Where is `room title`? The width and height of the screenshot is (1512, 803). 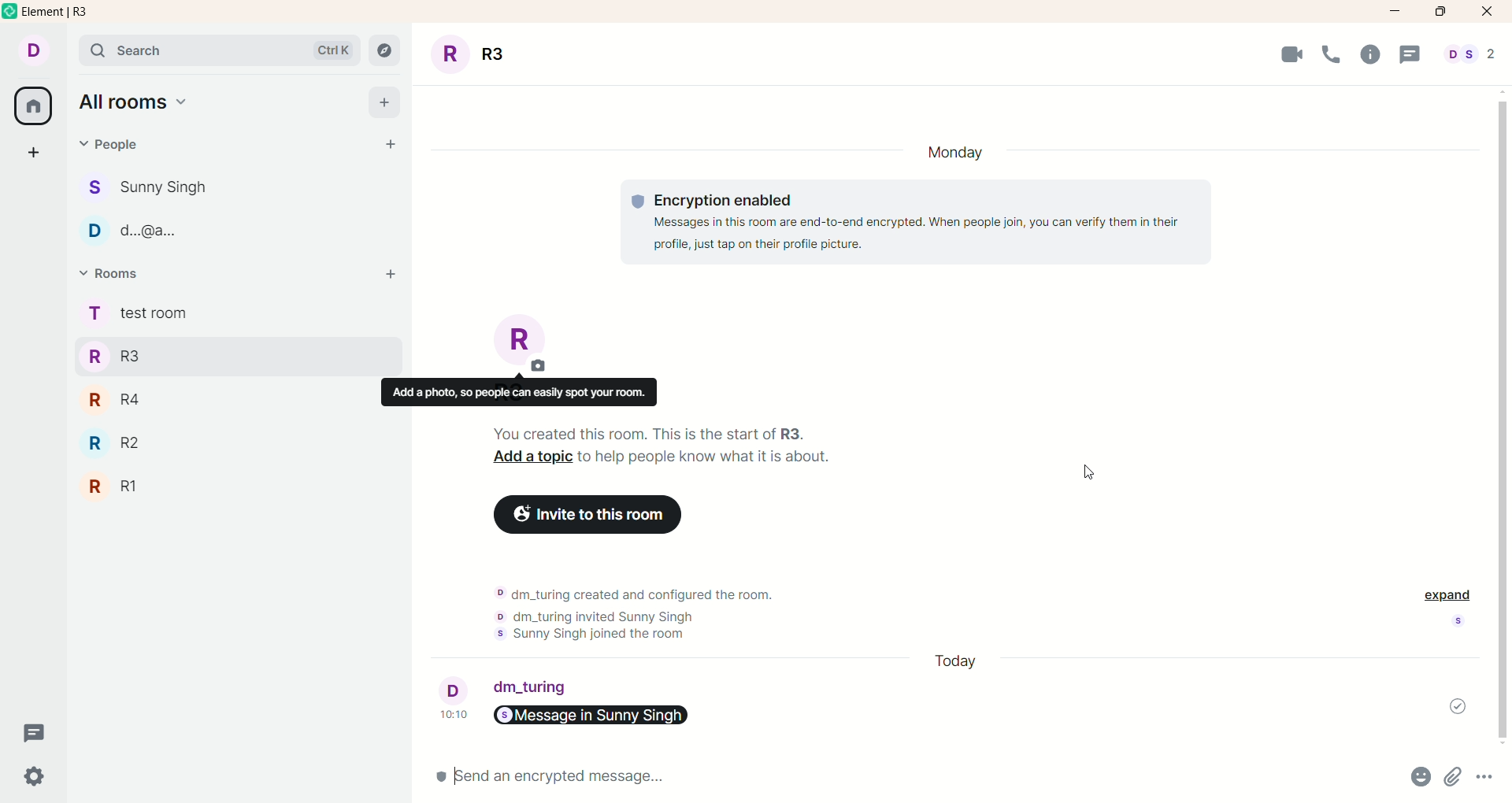 room title is located at coordinates (530, 346).